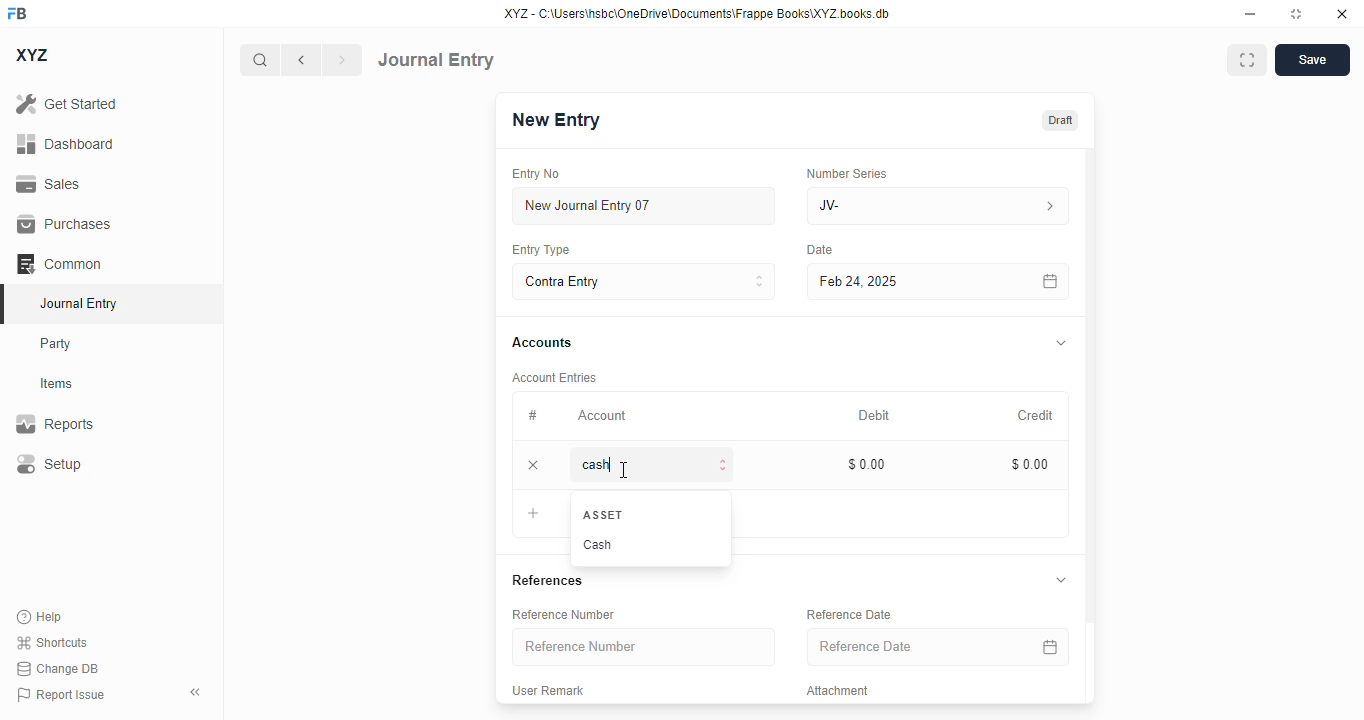  What do you see at coordinates (197, 692) in the screenshot?
I see `toggle sidebar` at bounding box center [197, 692].